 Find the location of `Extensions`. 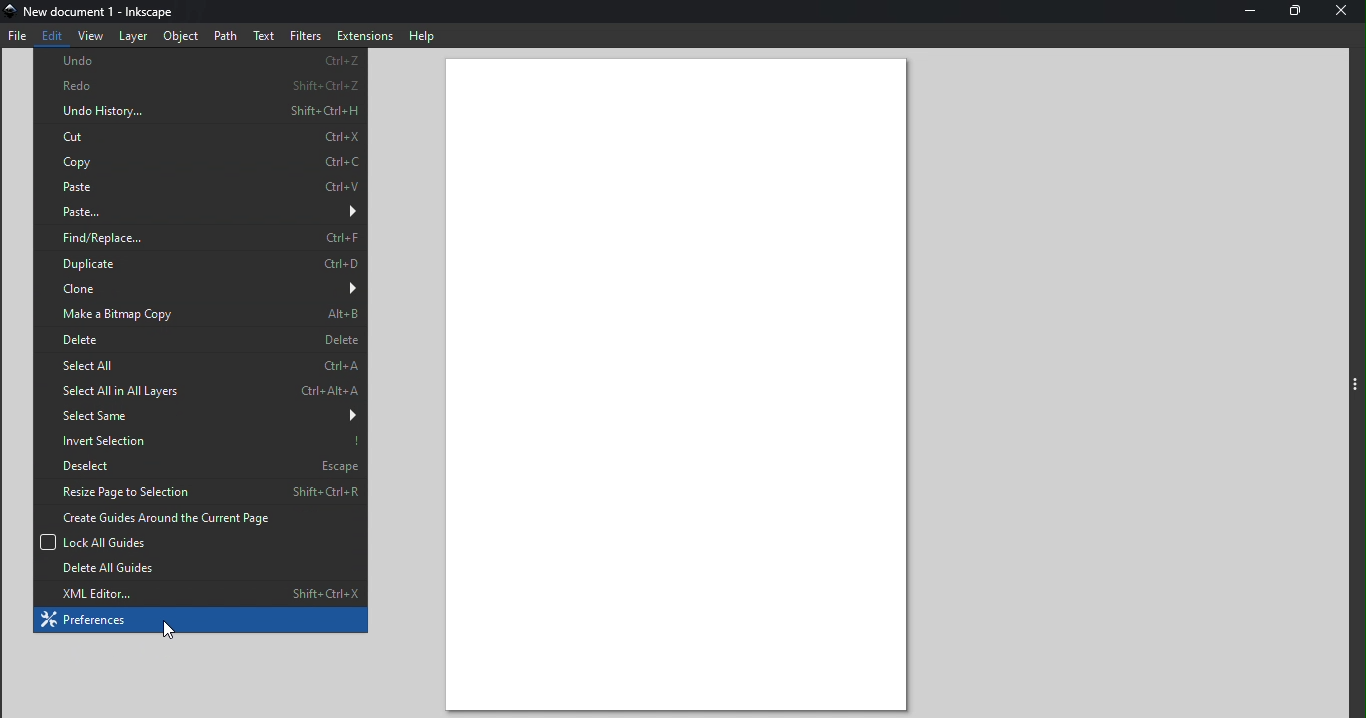

Extensions is located at coordinates (366, 35).